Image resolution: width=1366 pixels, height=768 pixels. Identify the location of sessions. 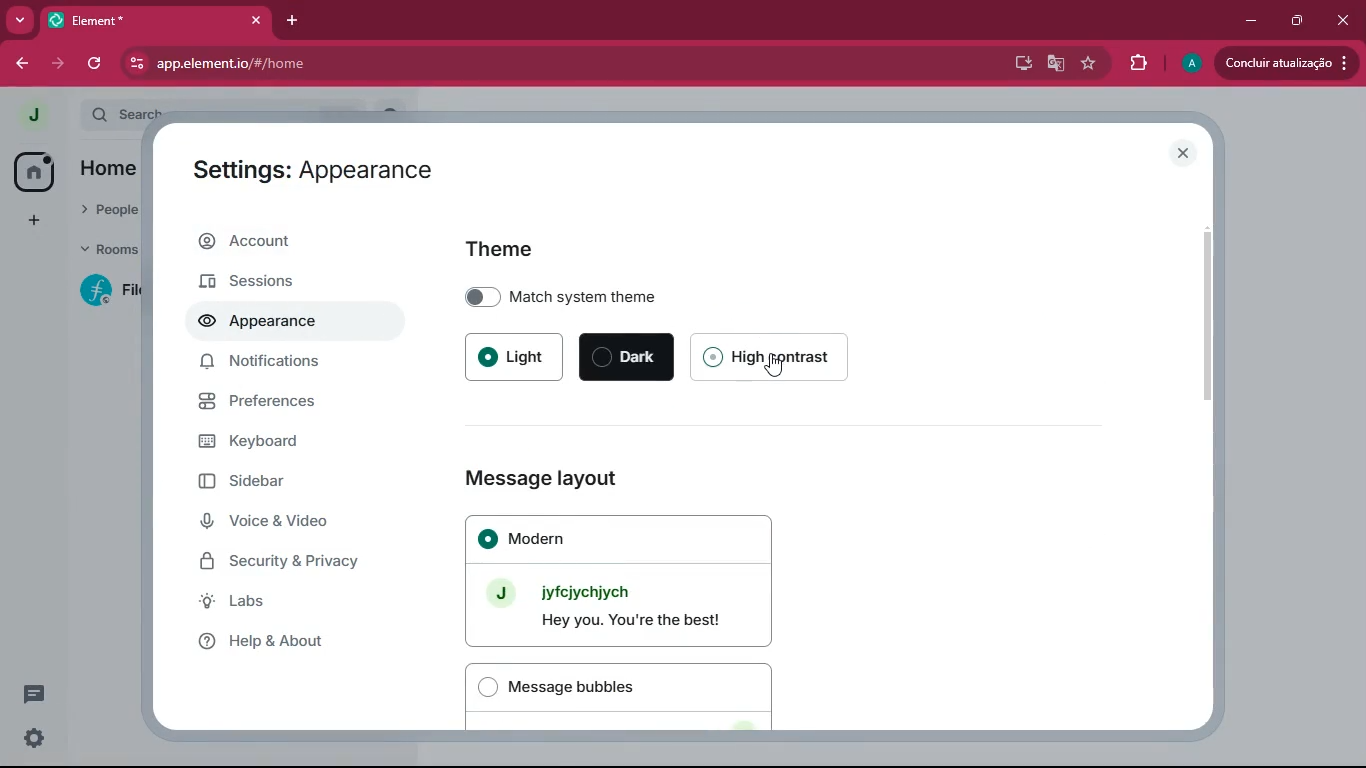
(279, 283).